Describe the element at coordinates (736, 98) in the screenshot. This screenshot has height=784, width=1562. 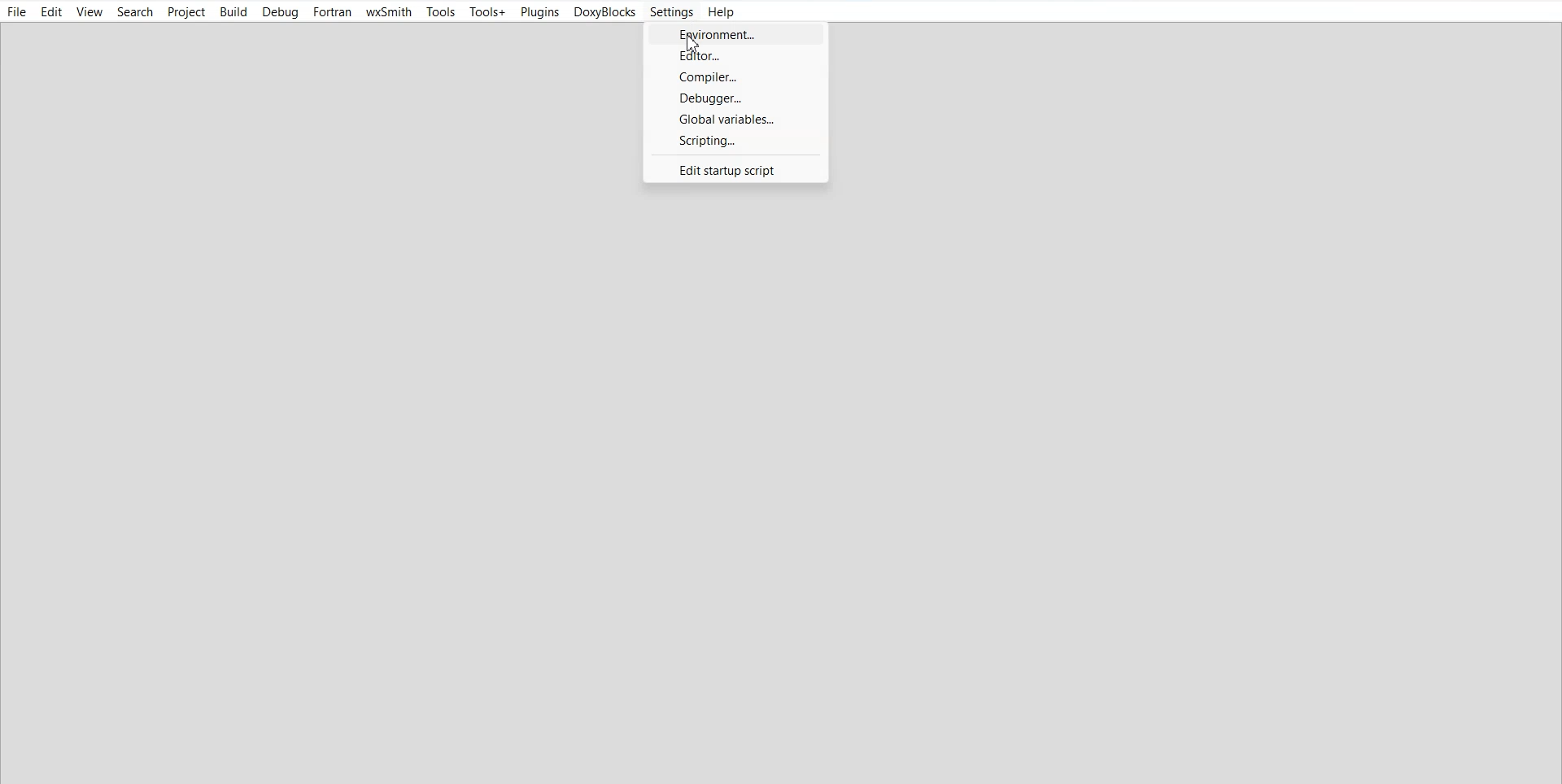
I see `Debugger` at that location.